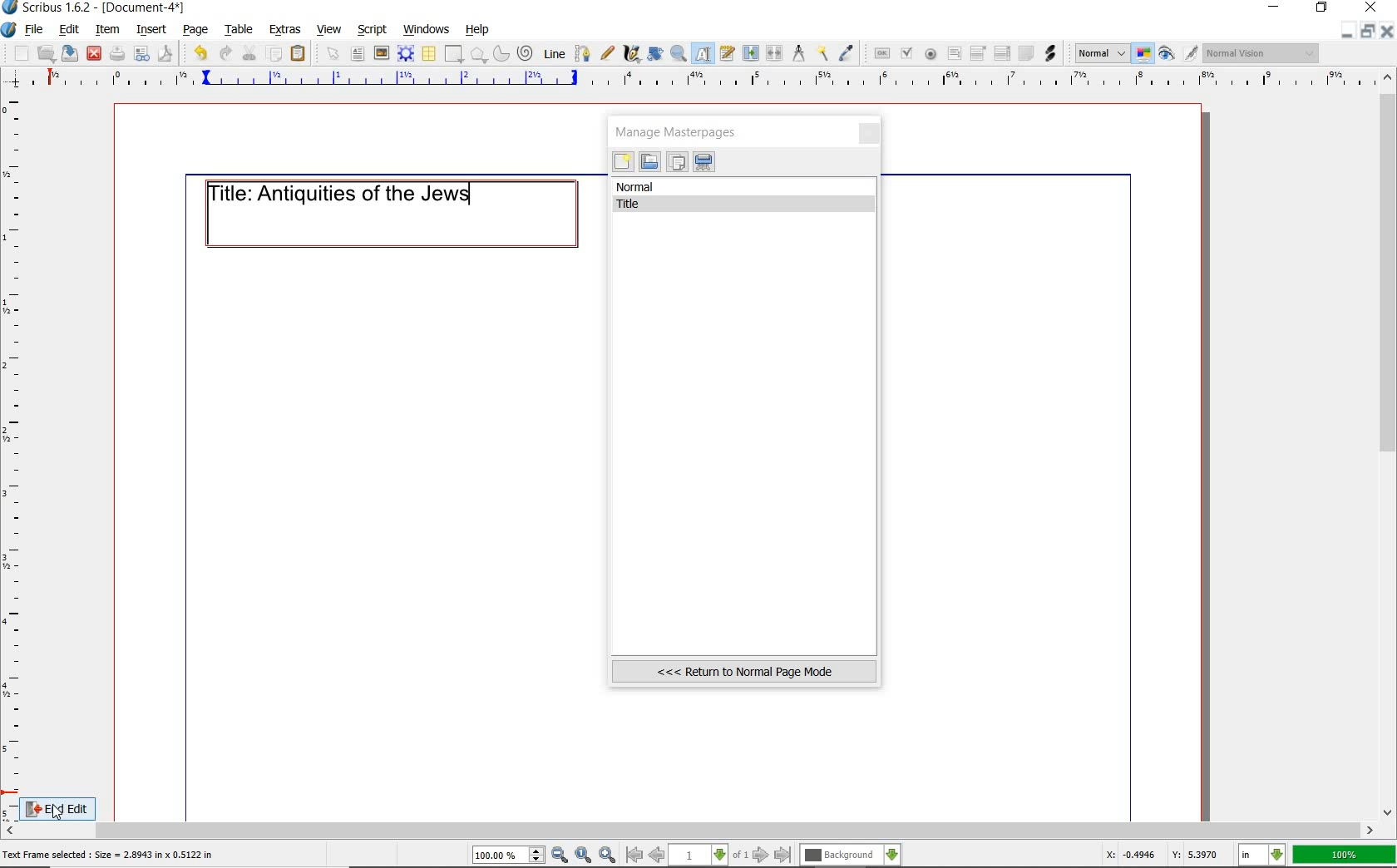 The height and width of the screenshot is (868, 1397). Describe the element at coordinates (740, 856) in the screenshot. I see `of 1` at that location.